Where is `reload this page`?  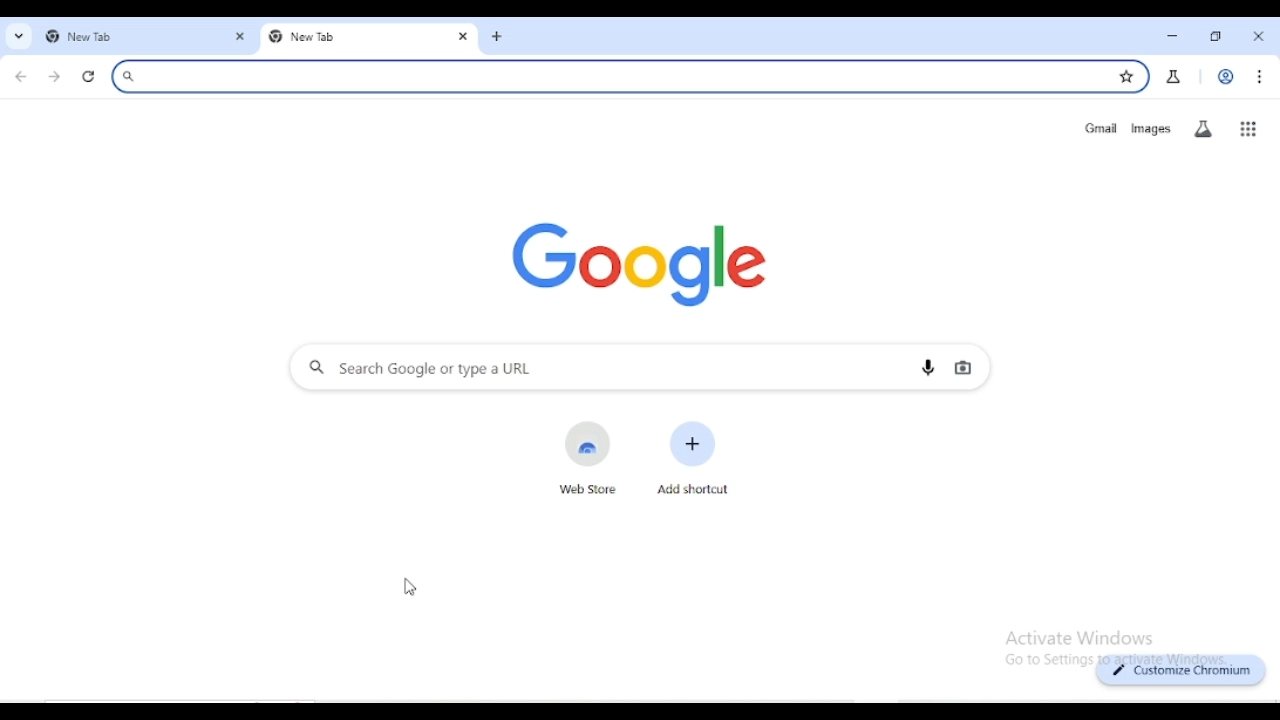 reload this page is located at coordinates (90, 78).